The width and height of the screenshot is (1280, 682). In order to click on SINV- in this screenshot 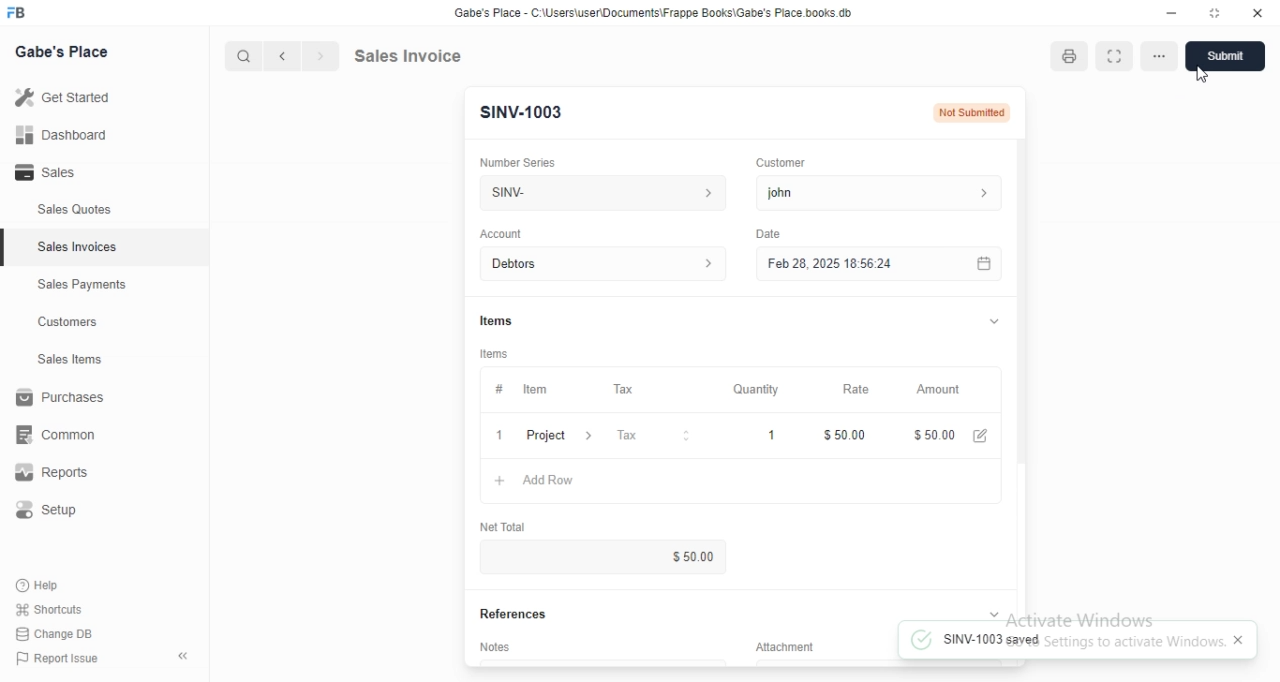, I will do `click(602, 191)`.